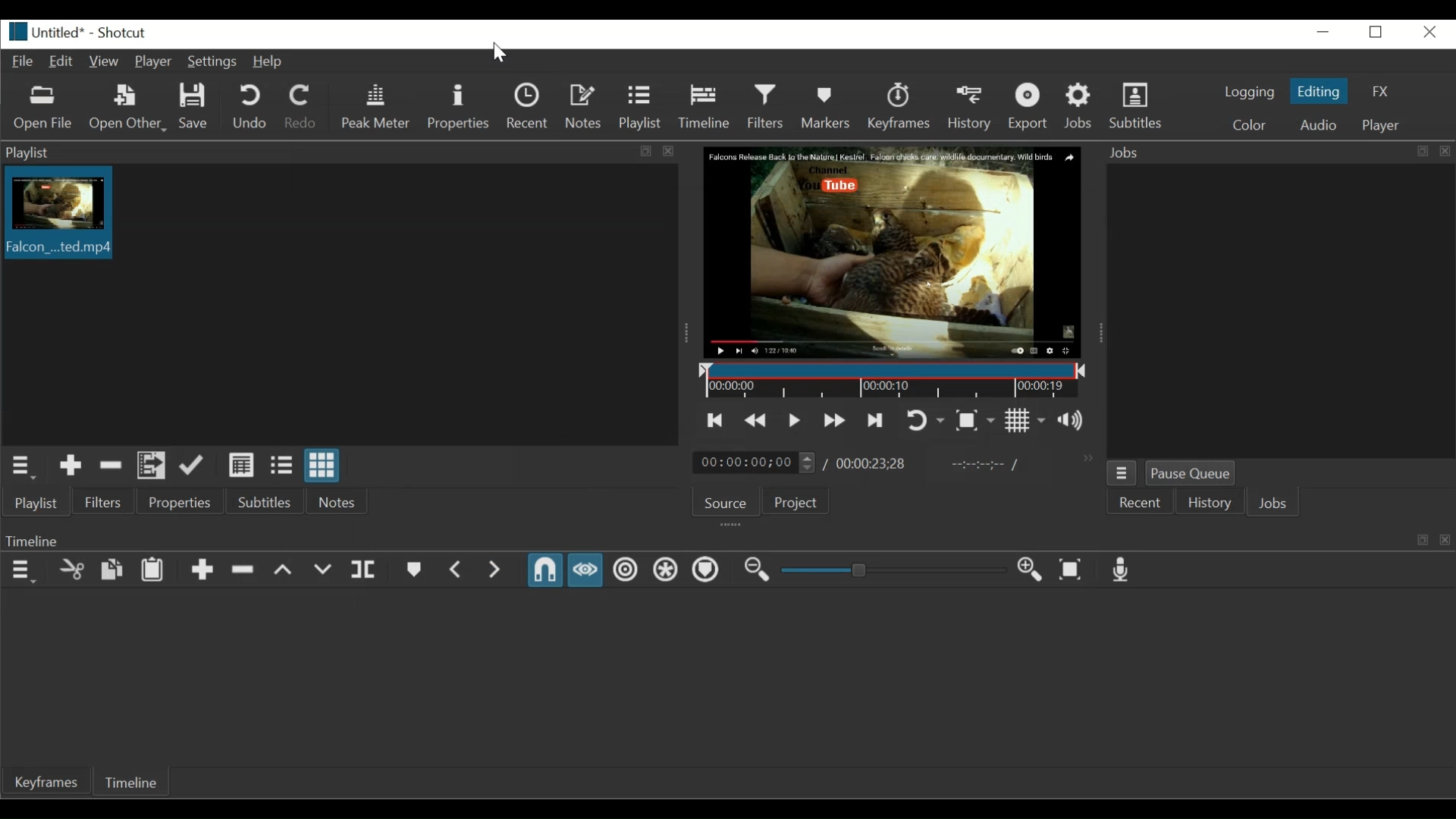 The width and height of the screenshot is (1456, 819). Describe the element at coordinates (968, 108) in the screenshot. I see `History` at that location.